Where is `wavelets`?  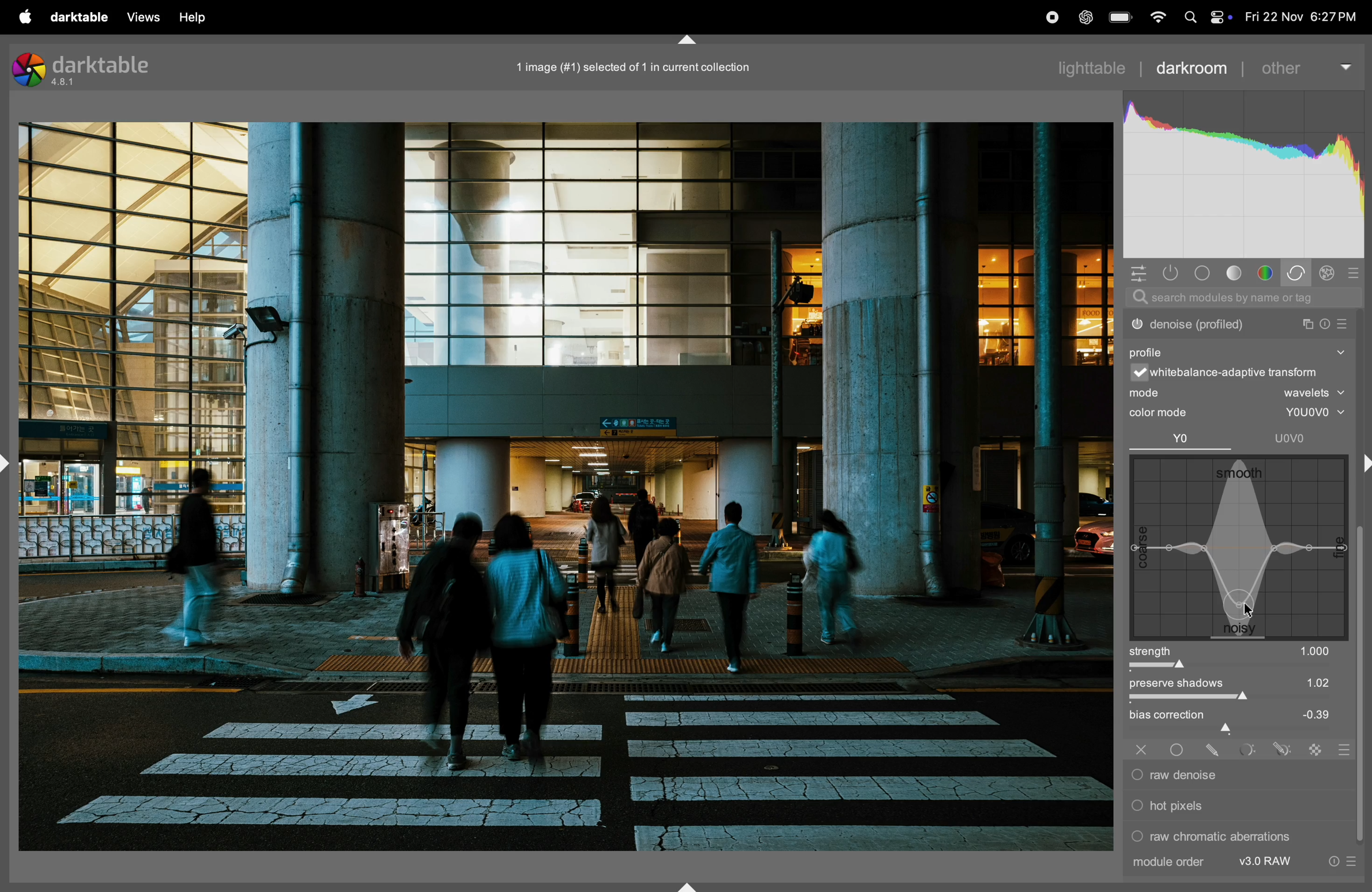 wavelets is located at coordinates (1311, 392).